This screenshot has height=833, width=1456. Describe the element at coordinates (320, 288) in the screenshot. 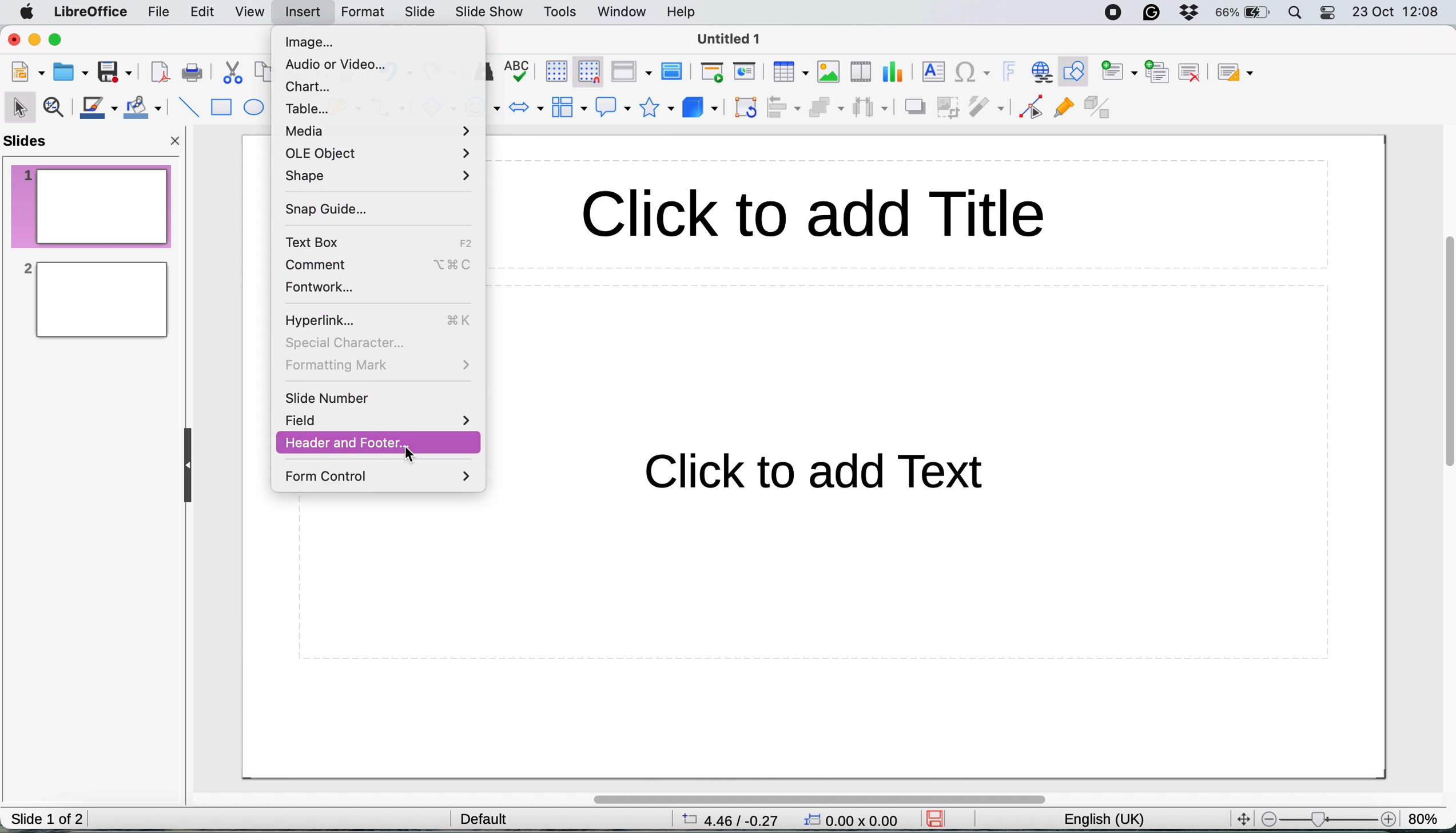

I see `fontwork` at that location.